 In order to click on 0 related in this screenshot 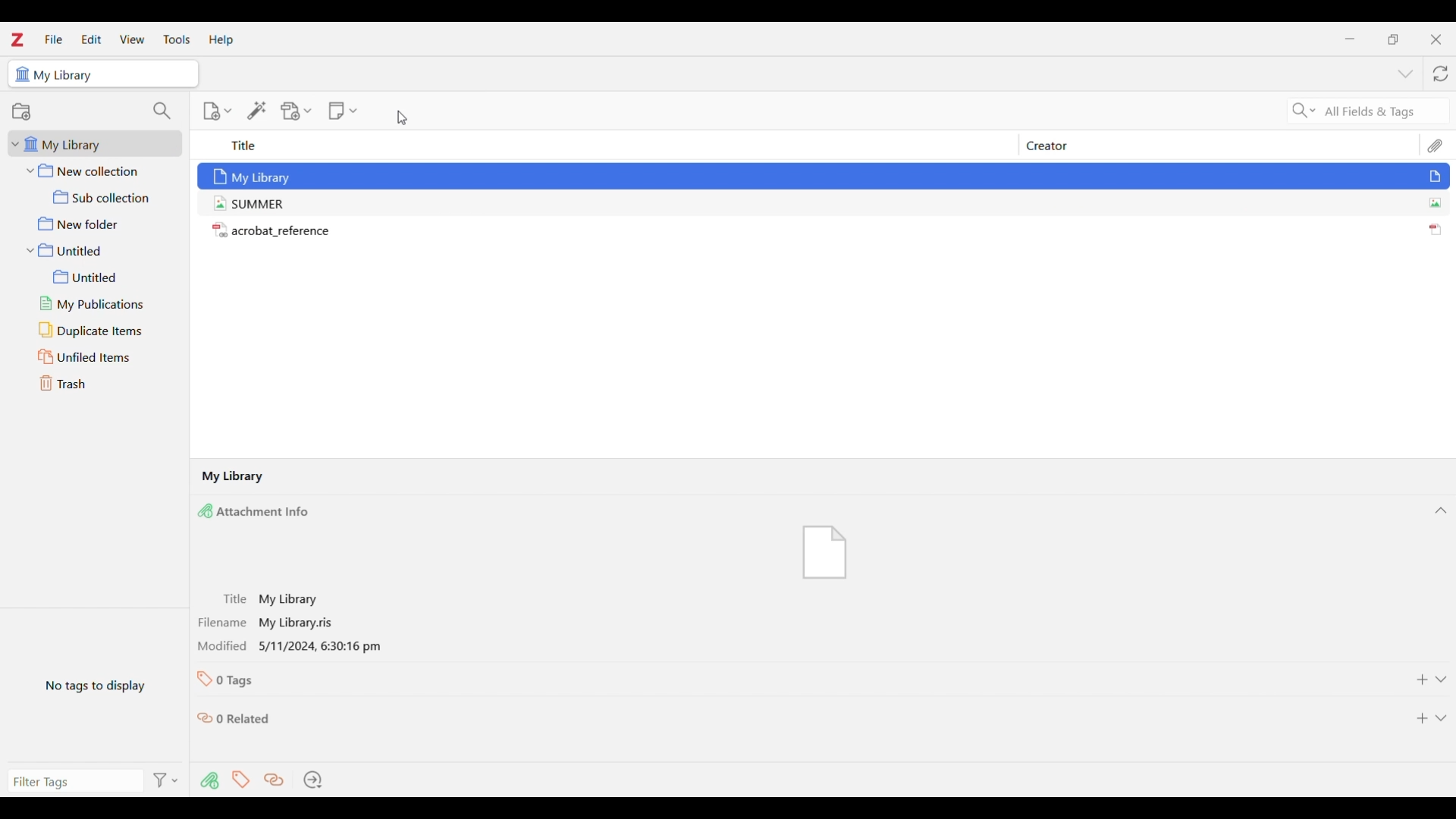, I will do `click(239, 717)`.